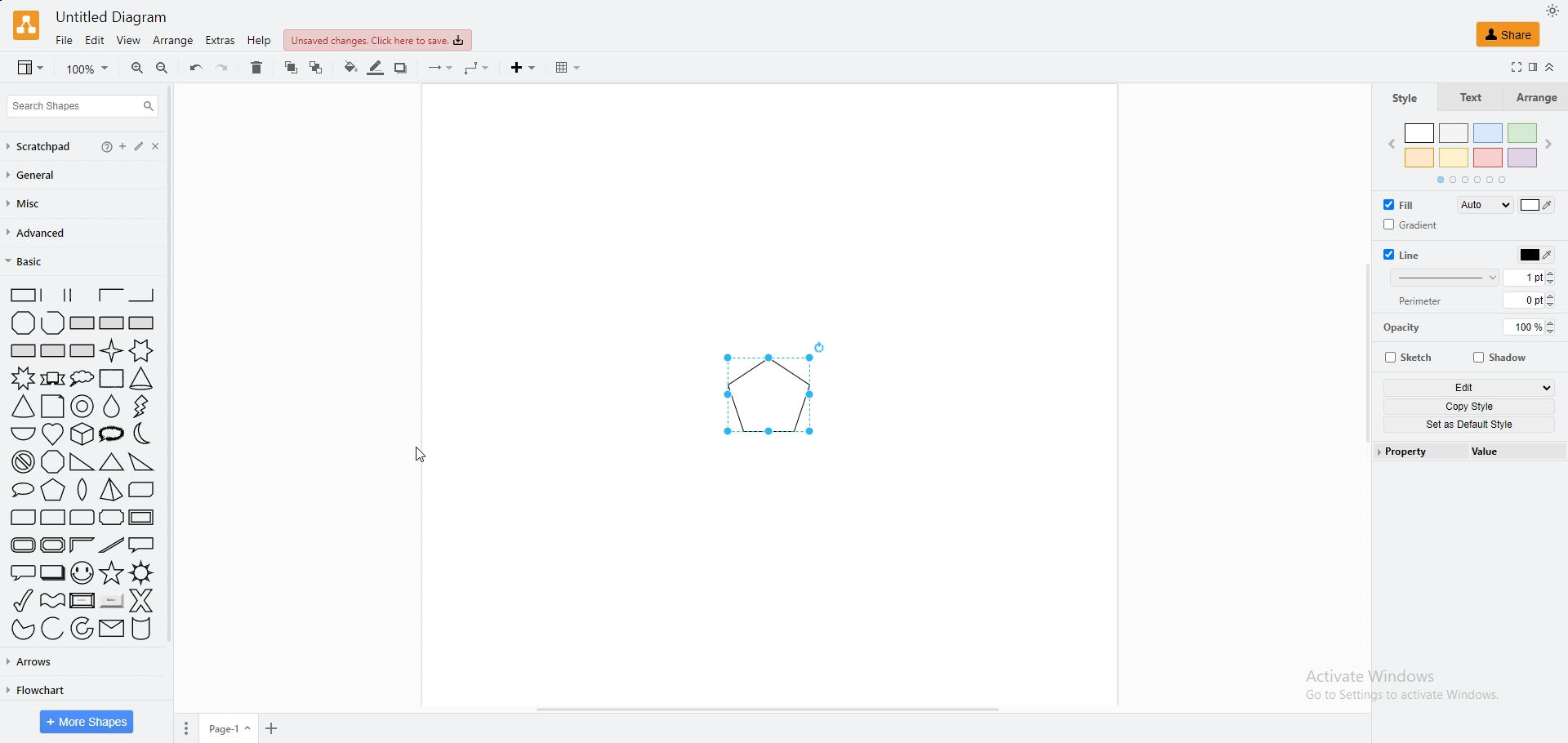 This screenshot has height=743, width=1568. What do you see at coordinates (108, 146) in the screenshot?
I see `help` at bounding box center [108, 146].